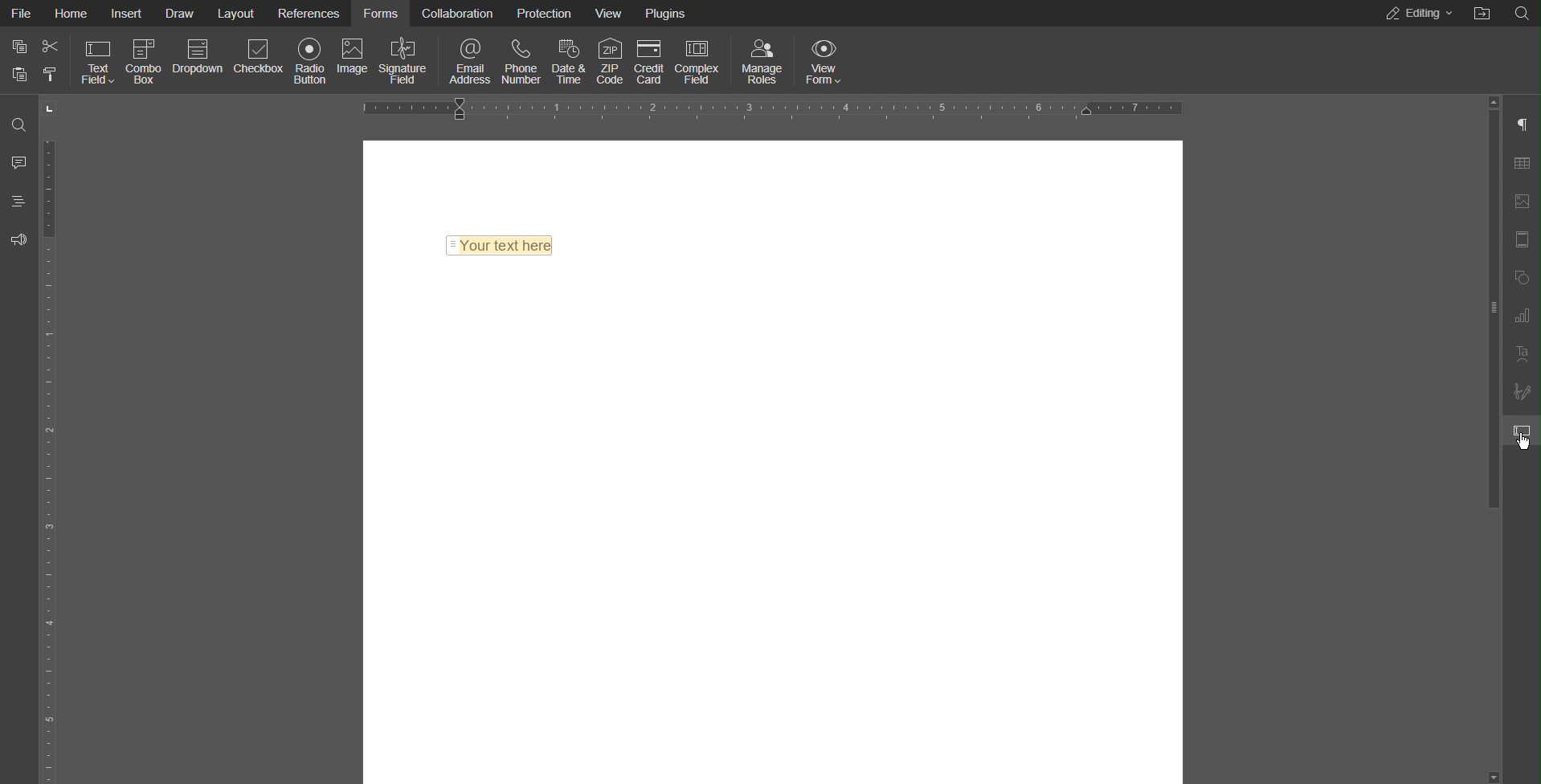 The image size is (1541, 784). Describe the element at coordinates (668, 12) in the screenshot. I see `Plugins` at that location.